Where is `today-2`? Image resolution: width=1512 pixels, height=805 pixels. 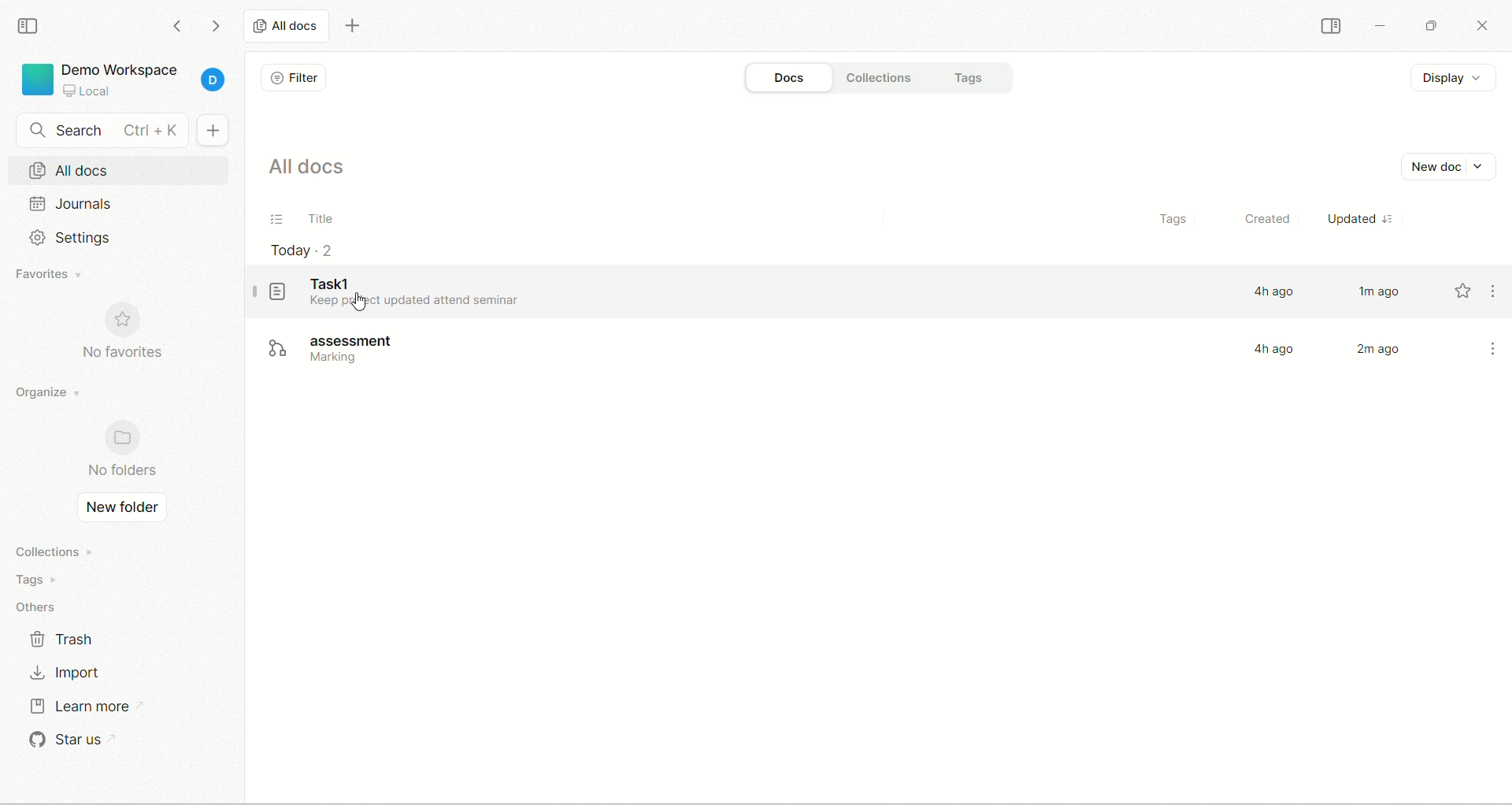
today-2 is located at coordinates (300, 251).